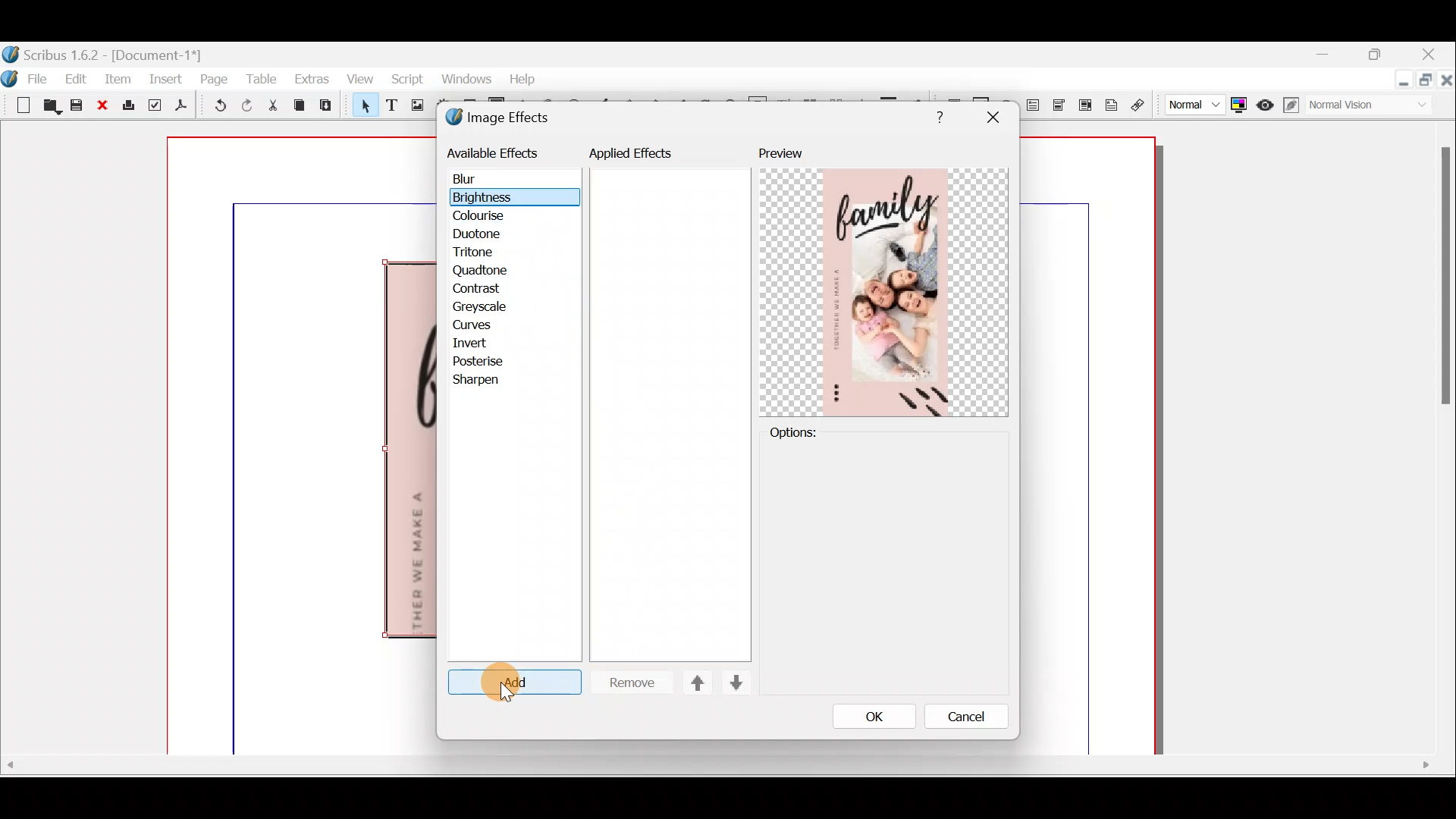  Describe the element at coordinates (181, 105) in the screenshot. I see `Save as PDF` at that location.